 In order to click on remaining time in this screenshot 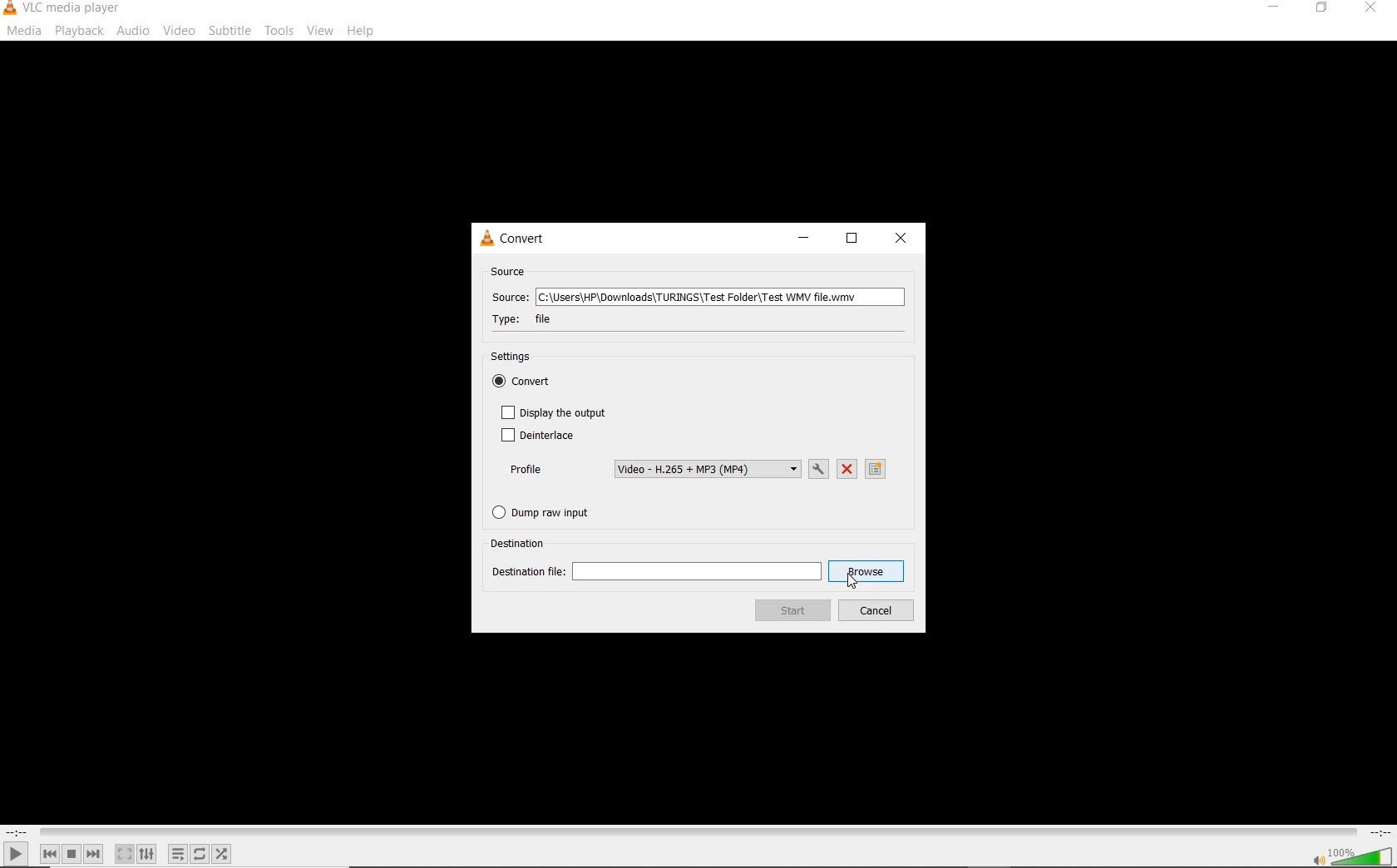, I will do `click(1379, 832)`.